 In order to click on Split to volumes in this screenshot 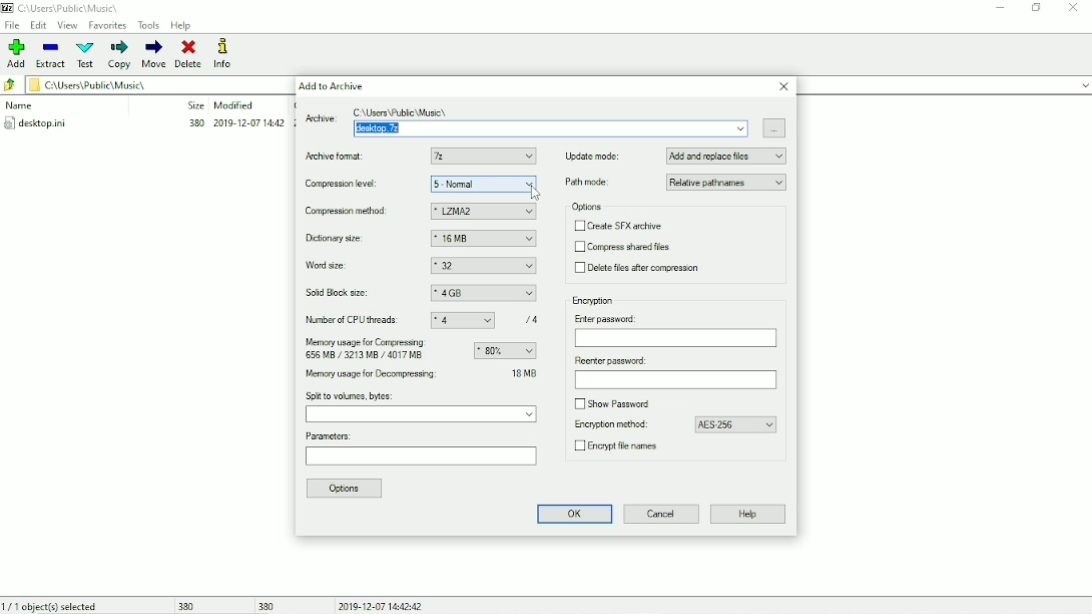, I will do `click(422, 415)`.